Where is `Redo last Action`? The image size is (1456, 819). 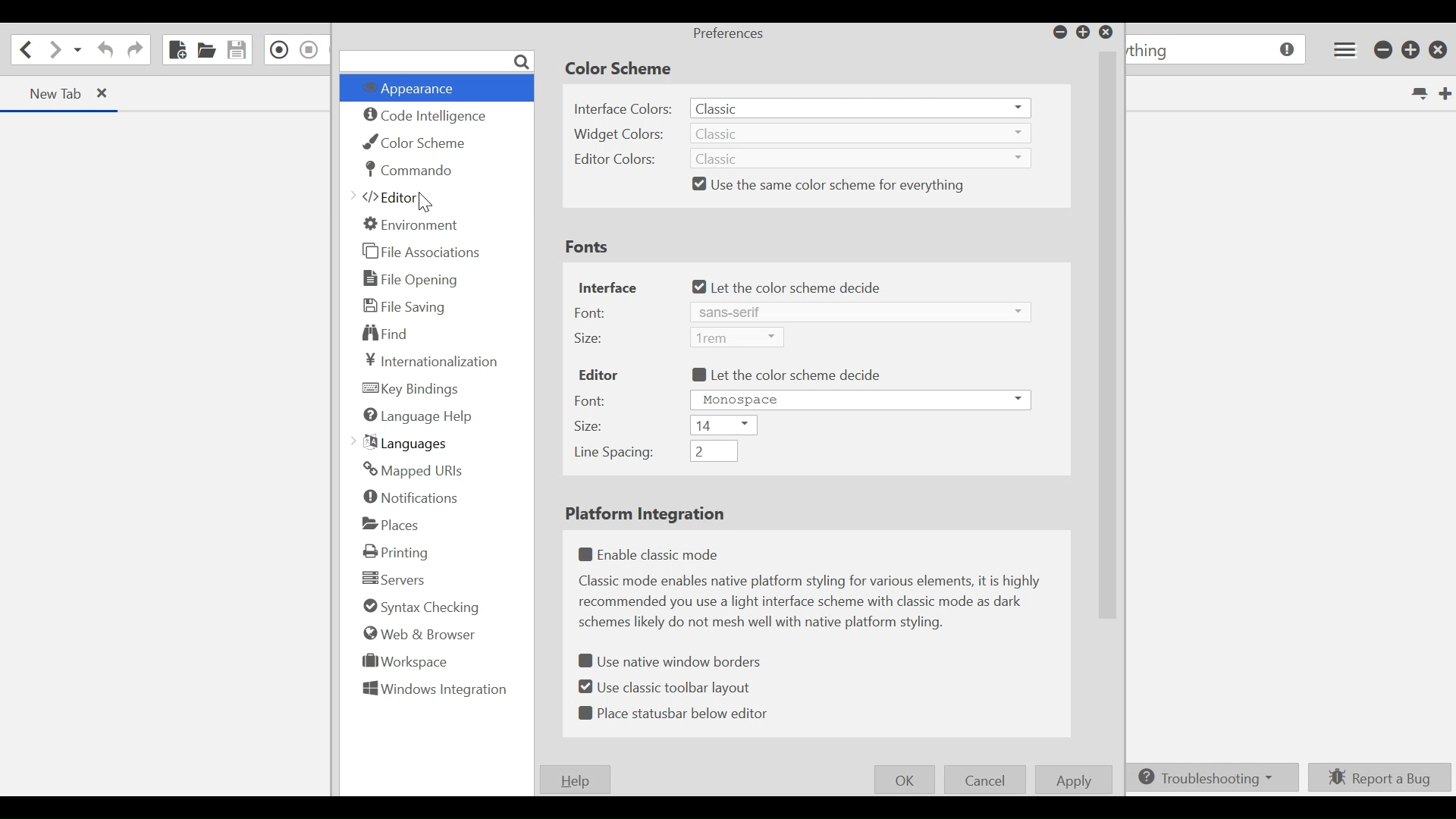
Redo last Action is located at coordinates (134, 52).